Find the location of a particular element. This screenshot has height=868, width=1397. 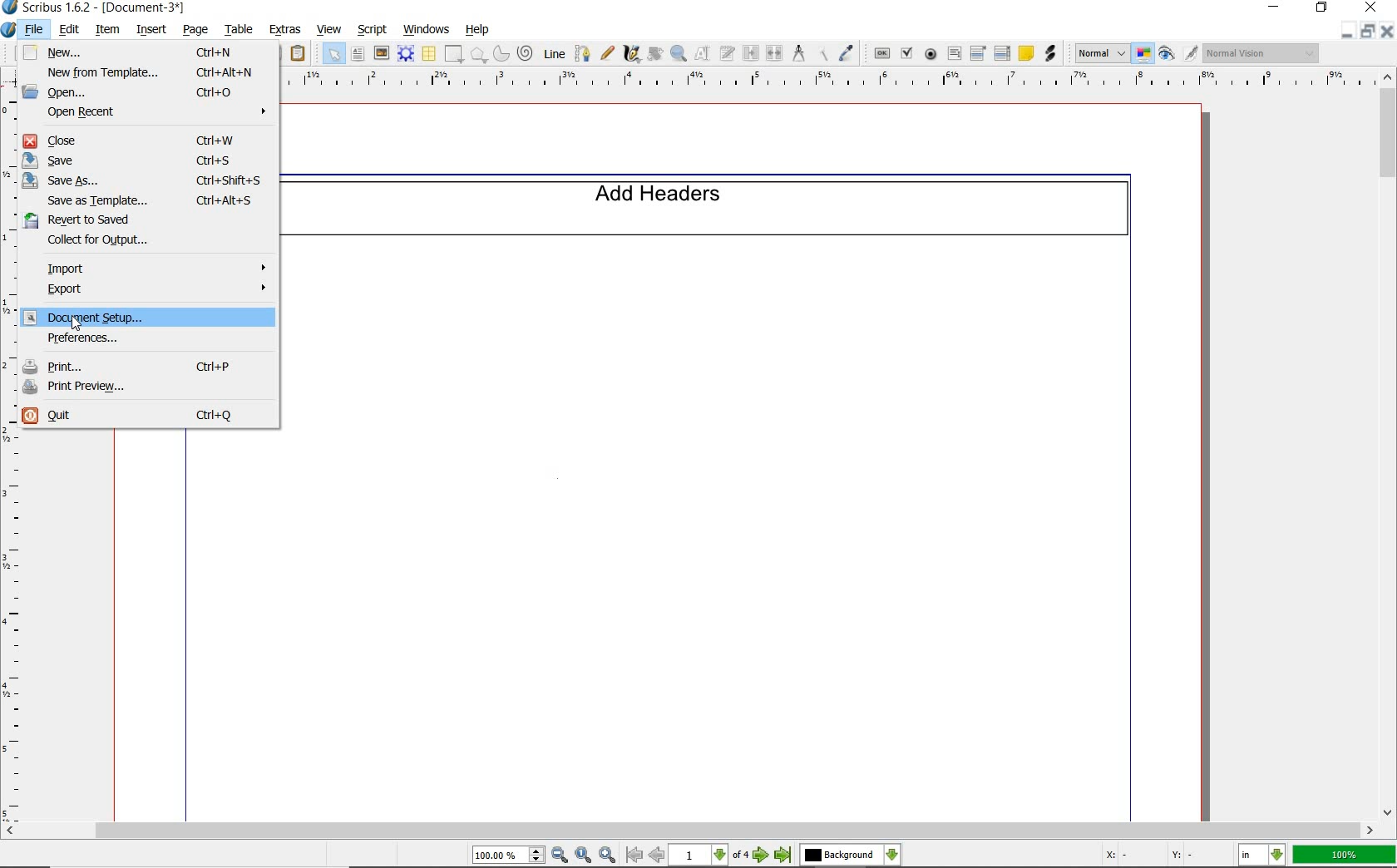

print is located at coordinates (145, 367).